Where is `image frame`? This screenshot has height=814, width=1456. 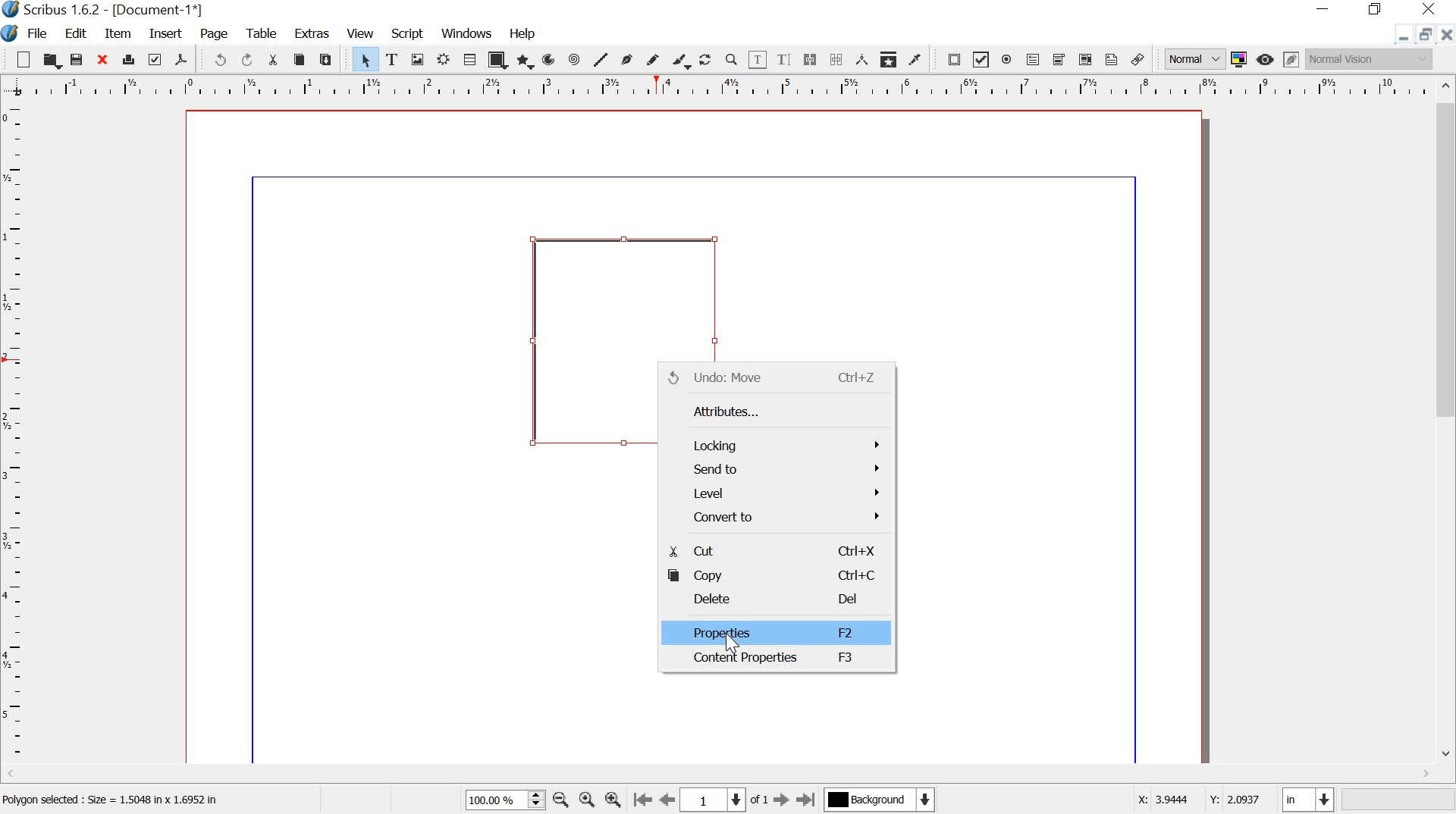 image frame is located at coordinates (420, 61).